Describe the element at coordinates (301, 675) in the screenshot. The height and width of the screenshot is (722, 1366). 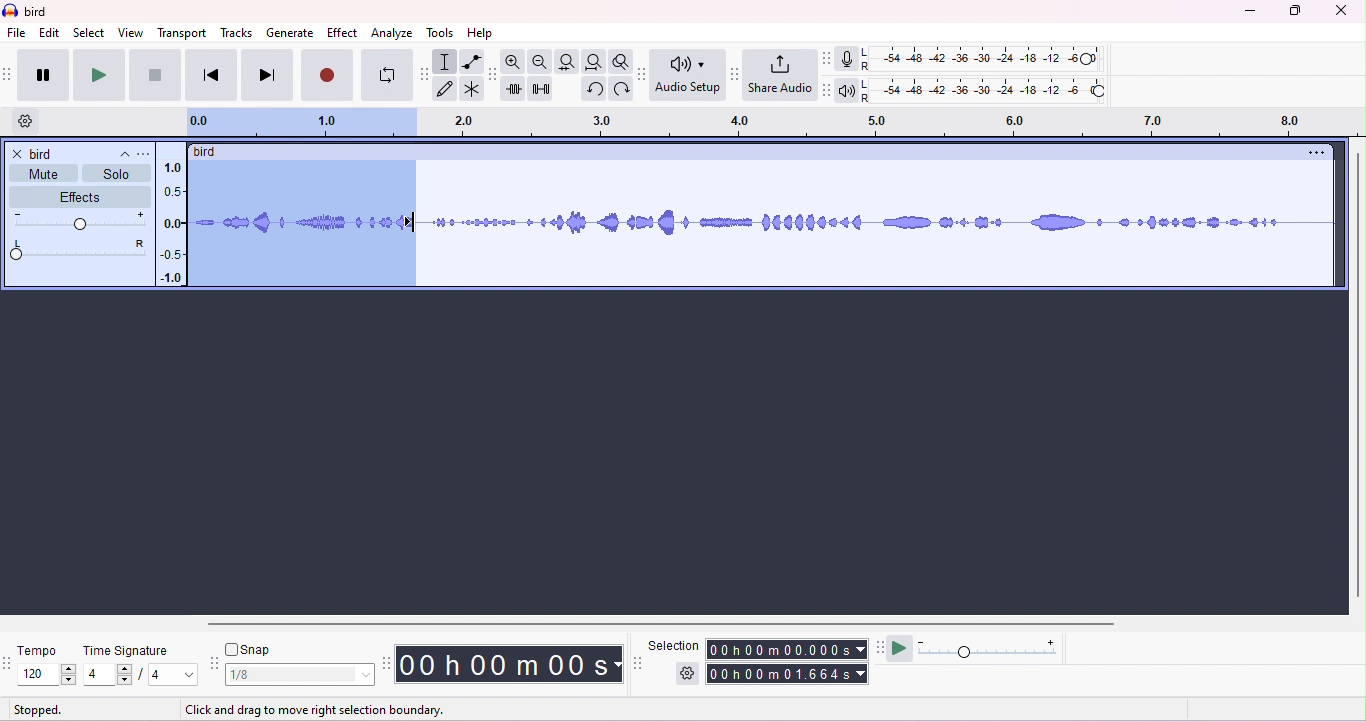
I see `1/8 (select snap)` at that location.